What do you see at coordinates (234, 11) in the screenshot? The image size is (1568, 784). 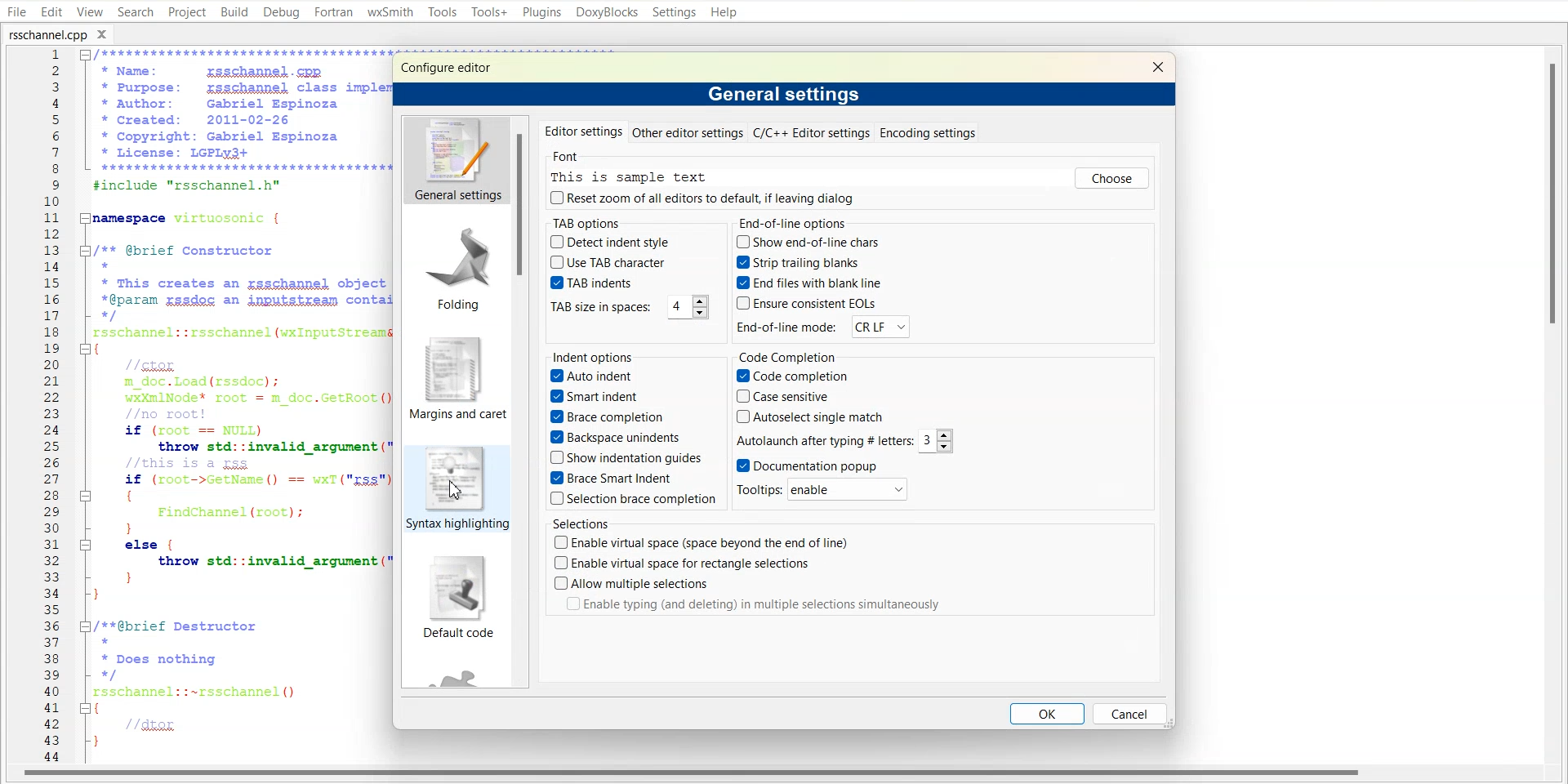 I see `Build` at bounding box center [234, 11].